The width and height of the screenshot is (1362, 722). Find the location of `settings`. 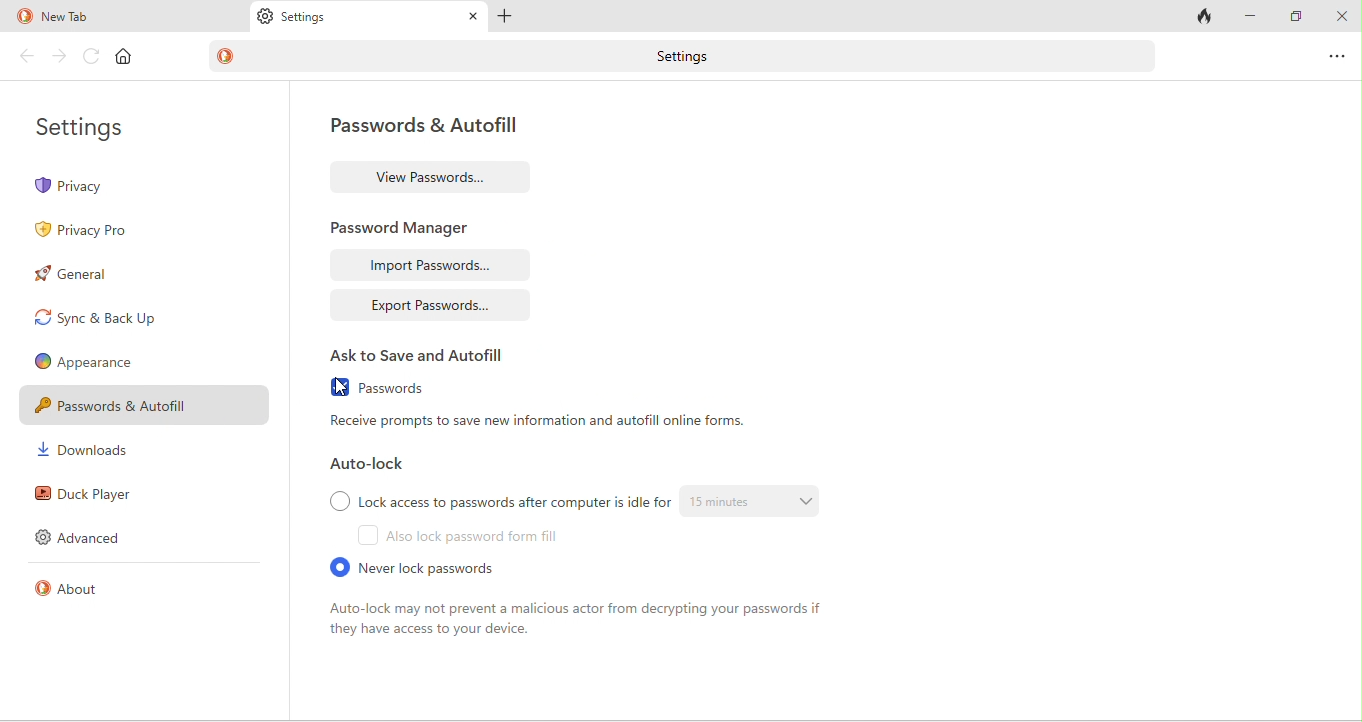

settings is located at coordinates (697, 56).